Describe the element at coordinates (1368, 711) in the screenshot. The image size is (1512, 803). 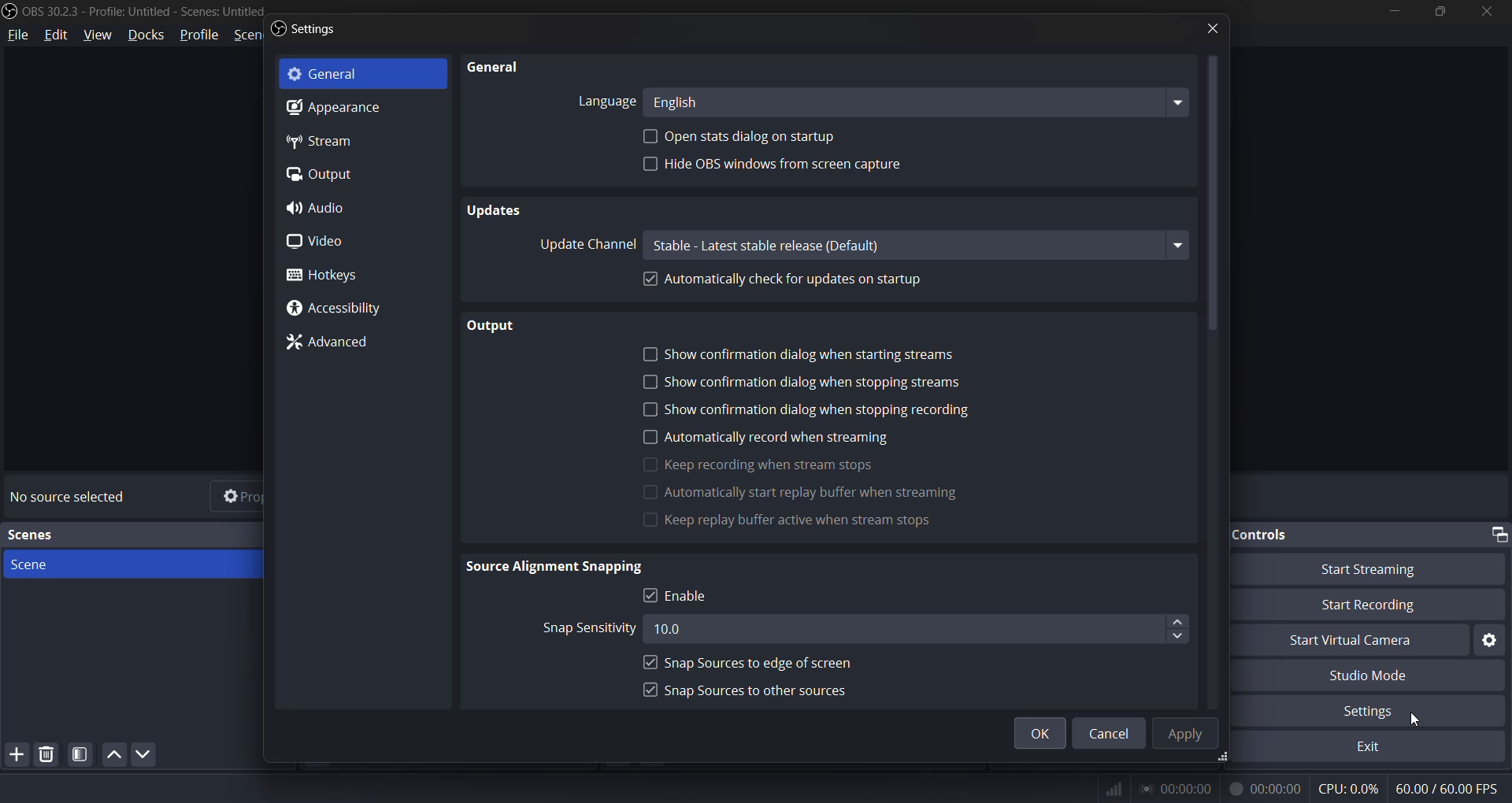
I see `settings` at that location.